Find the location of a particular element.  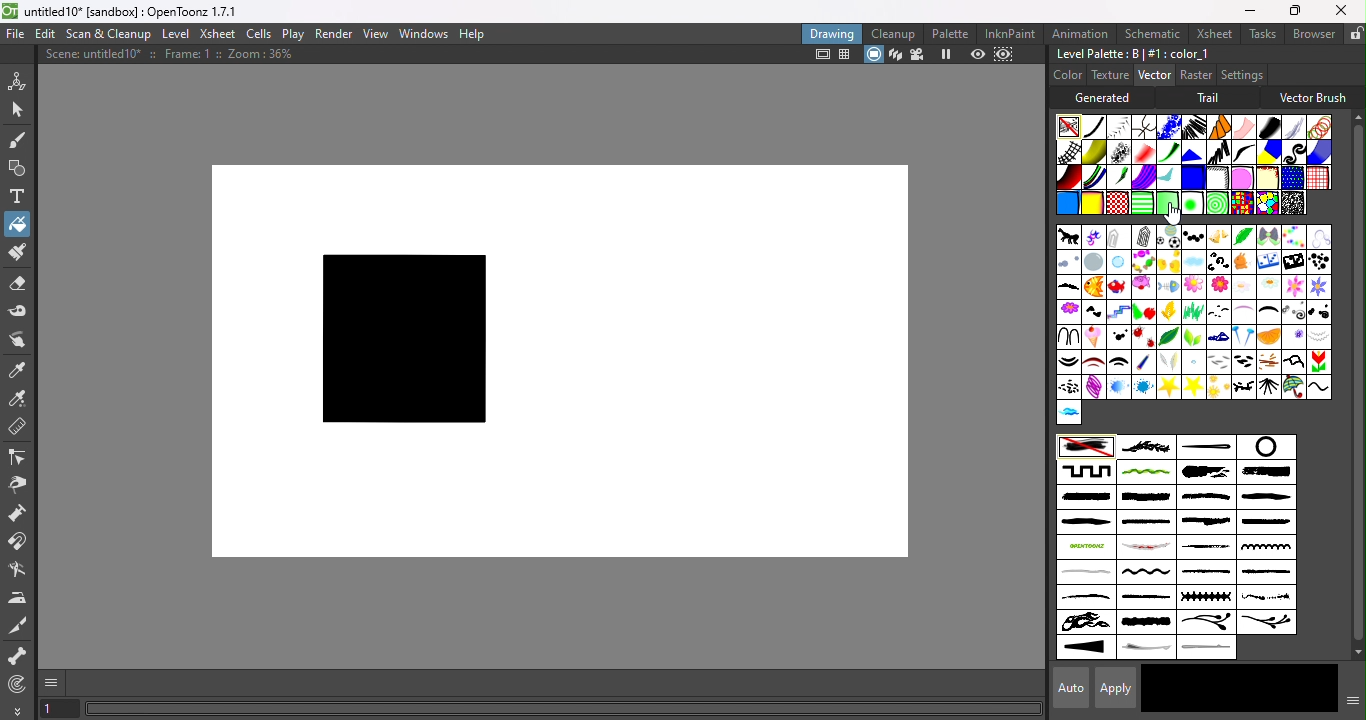

Cleanup is located at coordinates (893, 33).